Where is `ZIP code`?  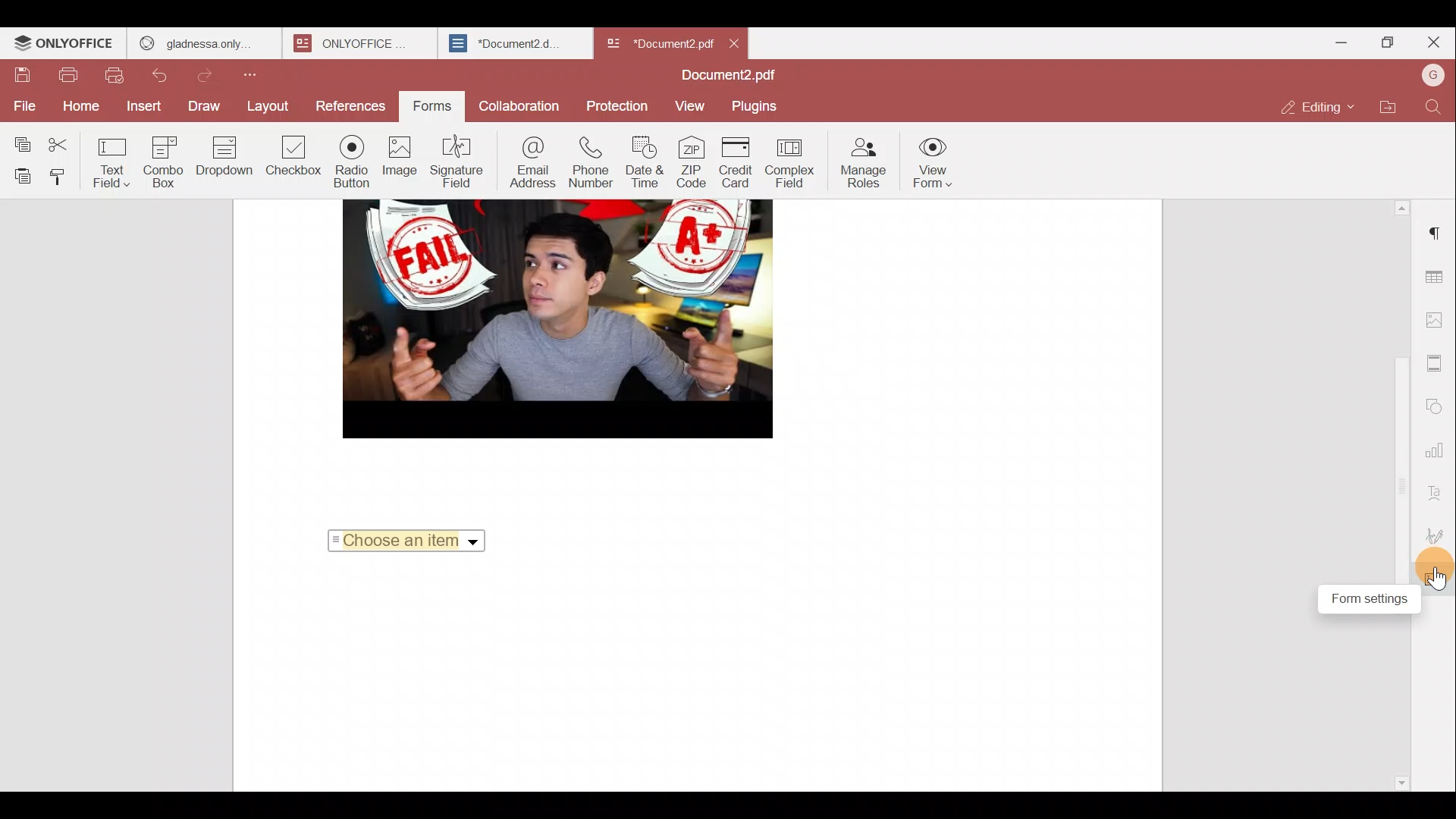 ZIP code is located at coordinates (692, 164).